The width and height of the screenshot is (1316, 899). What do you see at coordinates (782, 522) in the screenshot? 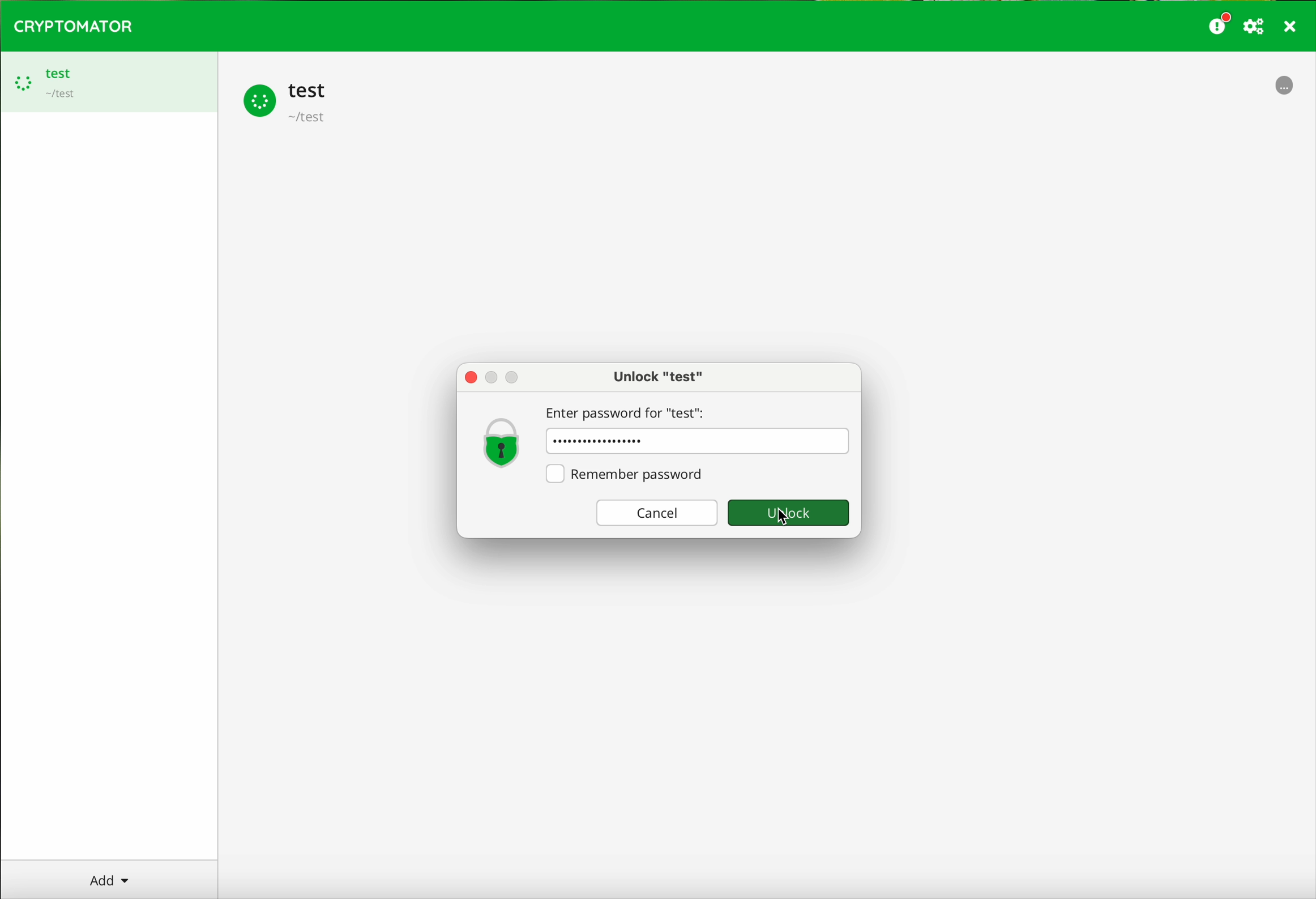
I see `cursor` at bounding box center [782, 522].